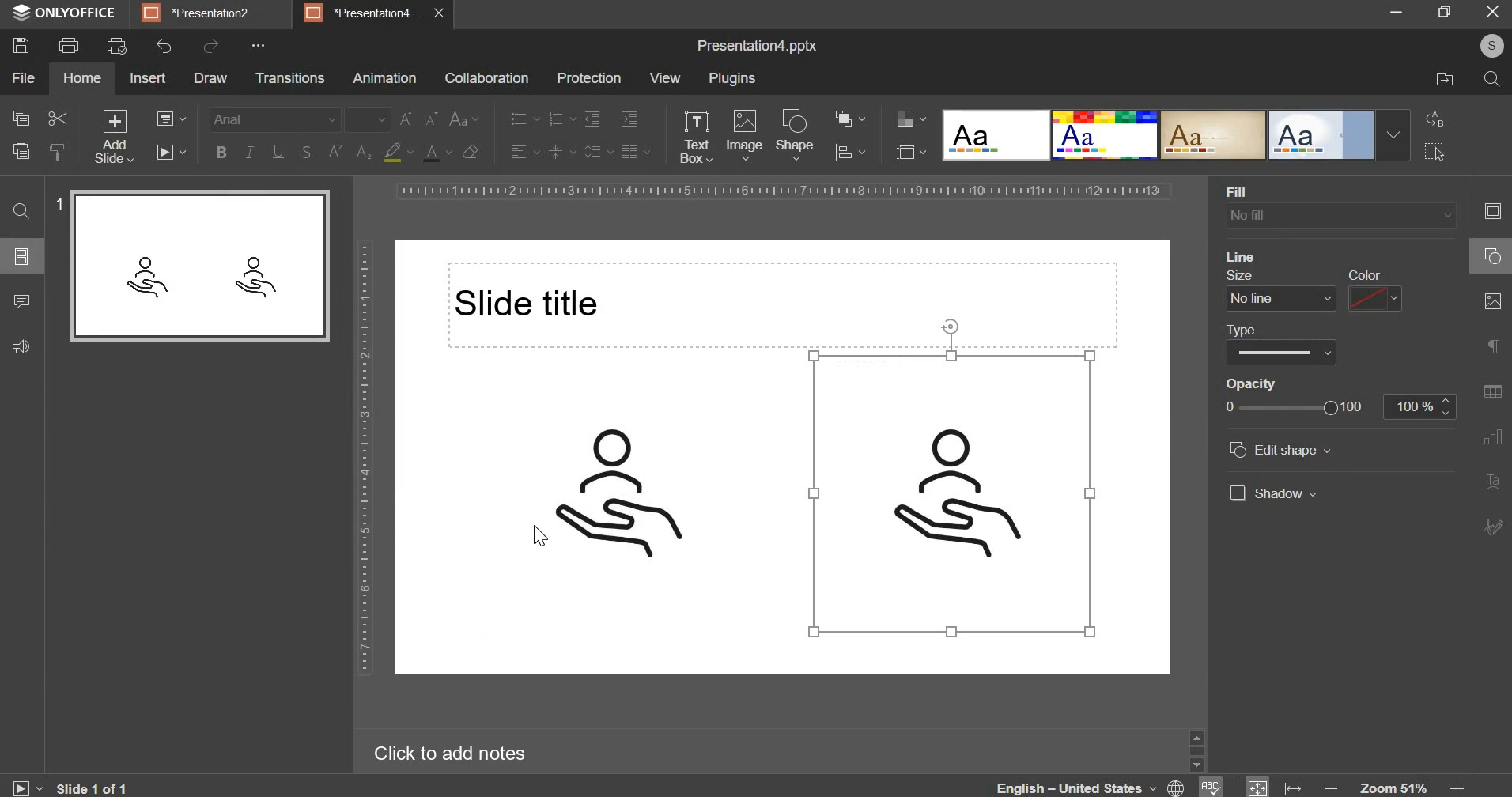 The image size is (1512, 797). What do you see at coordinates (62, 12) in the screenshot?
I see `onlyoffice` at bounding box center [62, 12].